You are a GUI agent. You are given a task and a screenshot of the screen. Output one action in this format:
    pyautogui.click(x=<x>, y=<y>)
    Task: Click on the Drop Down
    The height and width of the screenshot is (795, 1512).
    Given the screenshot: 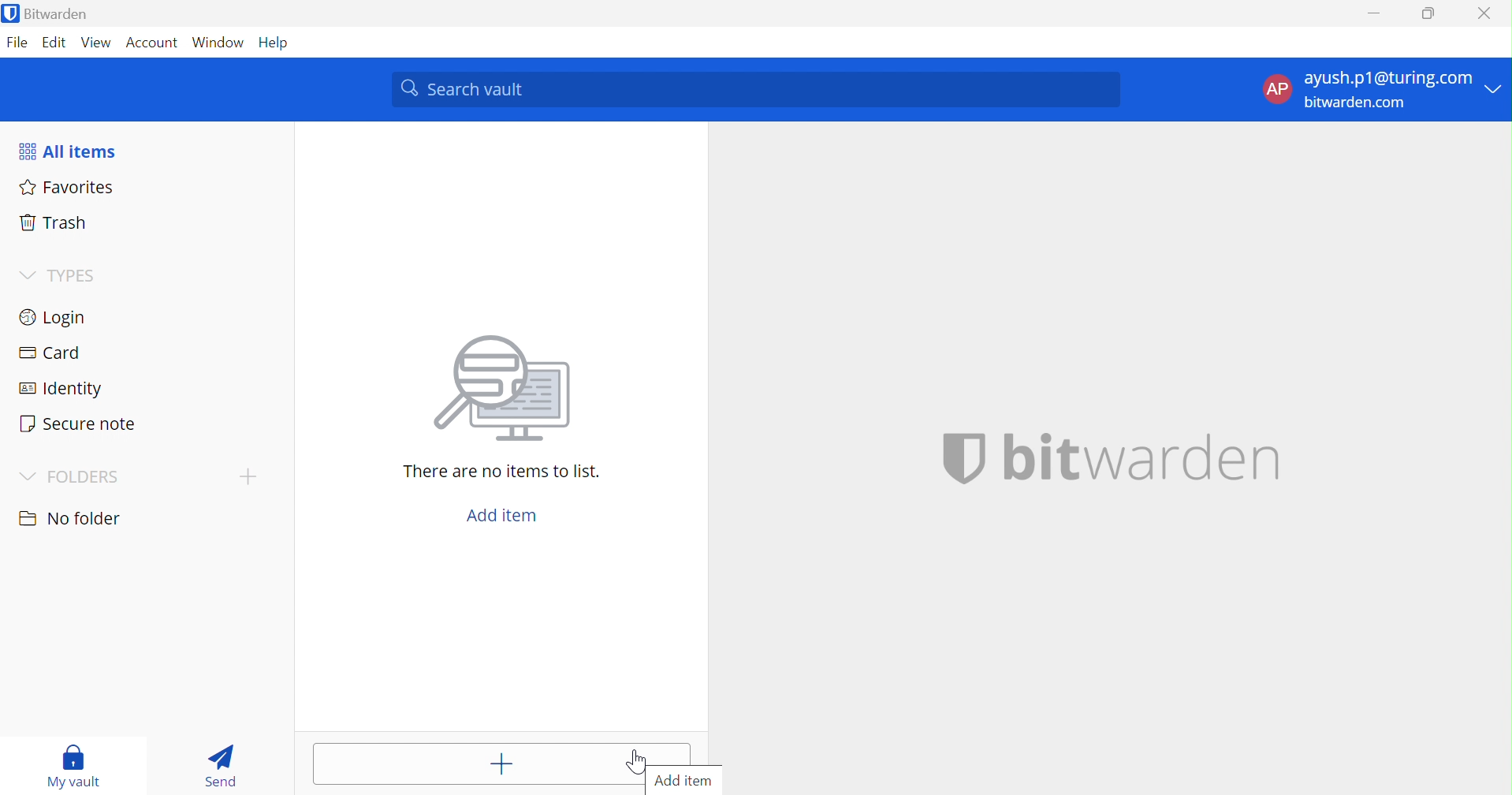 What is the action you would take?
    pyautogui.click(x=1496, y=88)
    